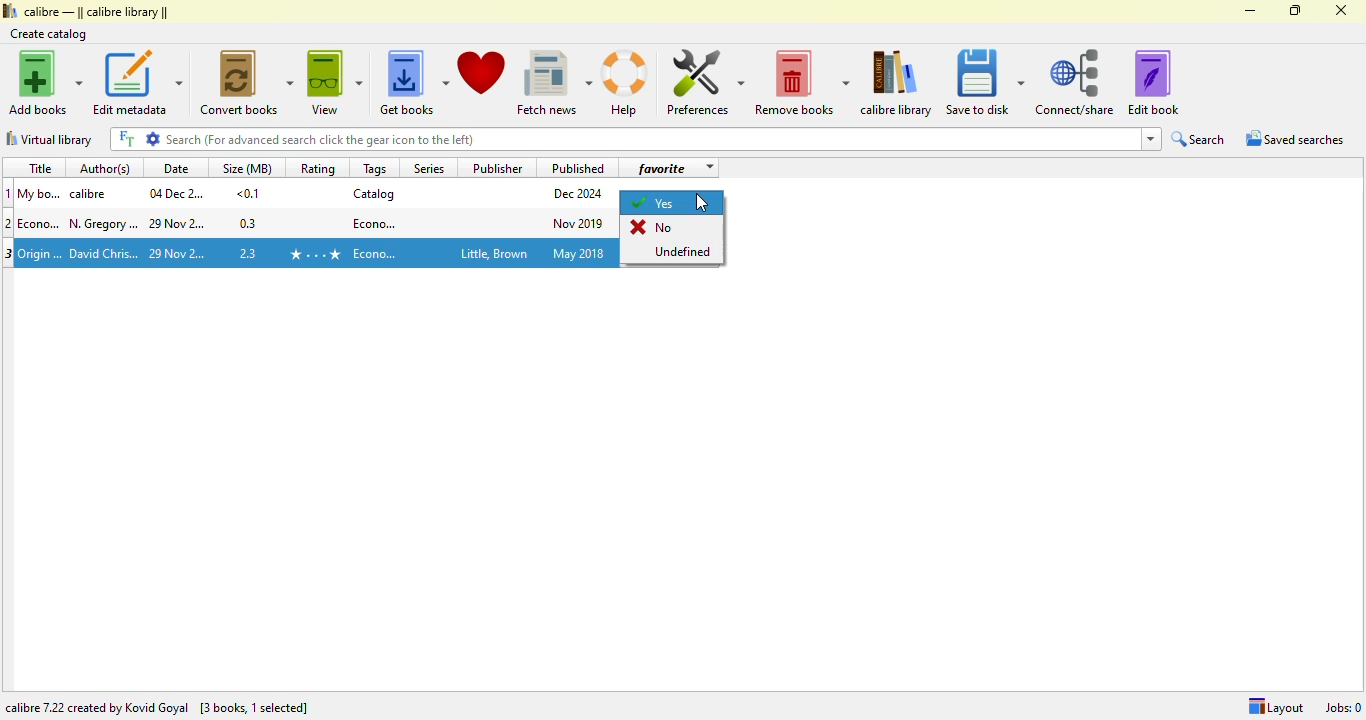  Describe the element at coordinates (1251, 11) in the screenshot. I see `minimize` at that location.